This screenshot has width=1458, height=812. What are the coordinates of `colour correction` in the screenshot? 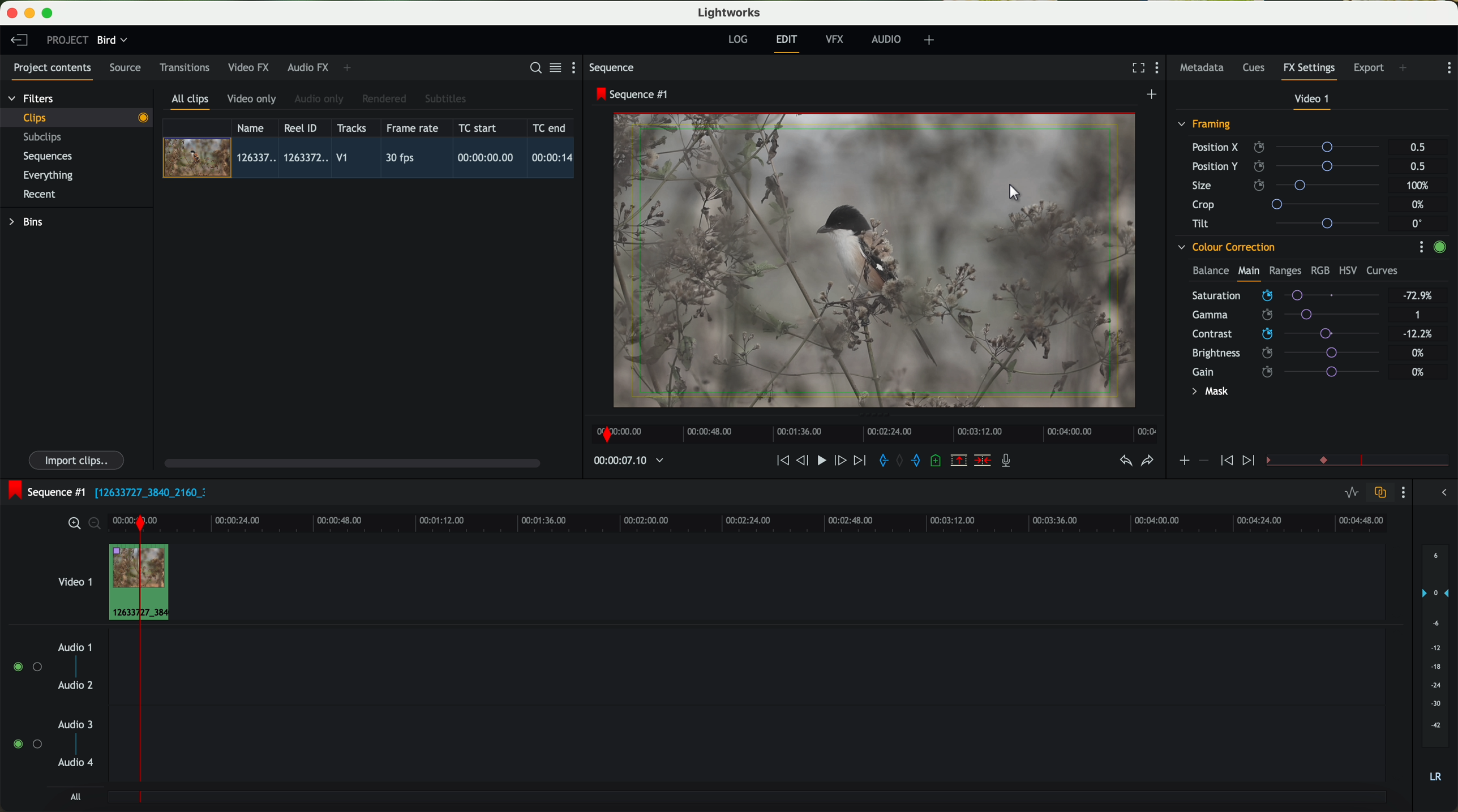 It's located at (1225, 247).